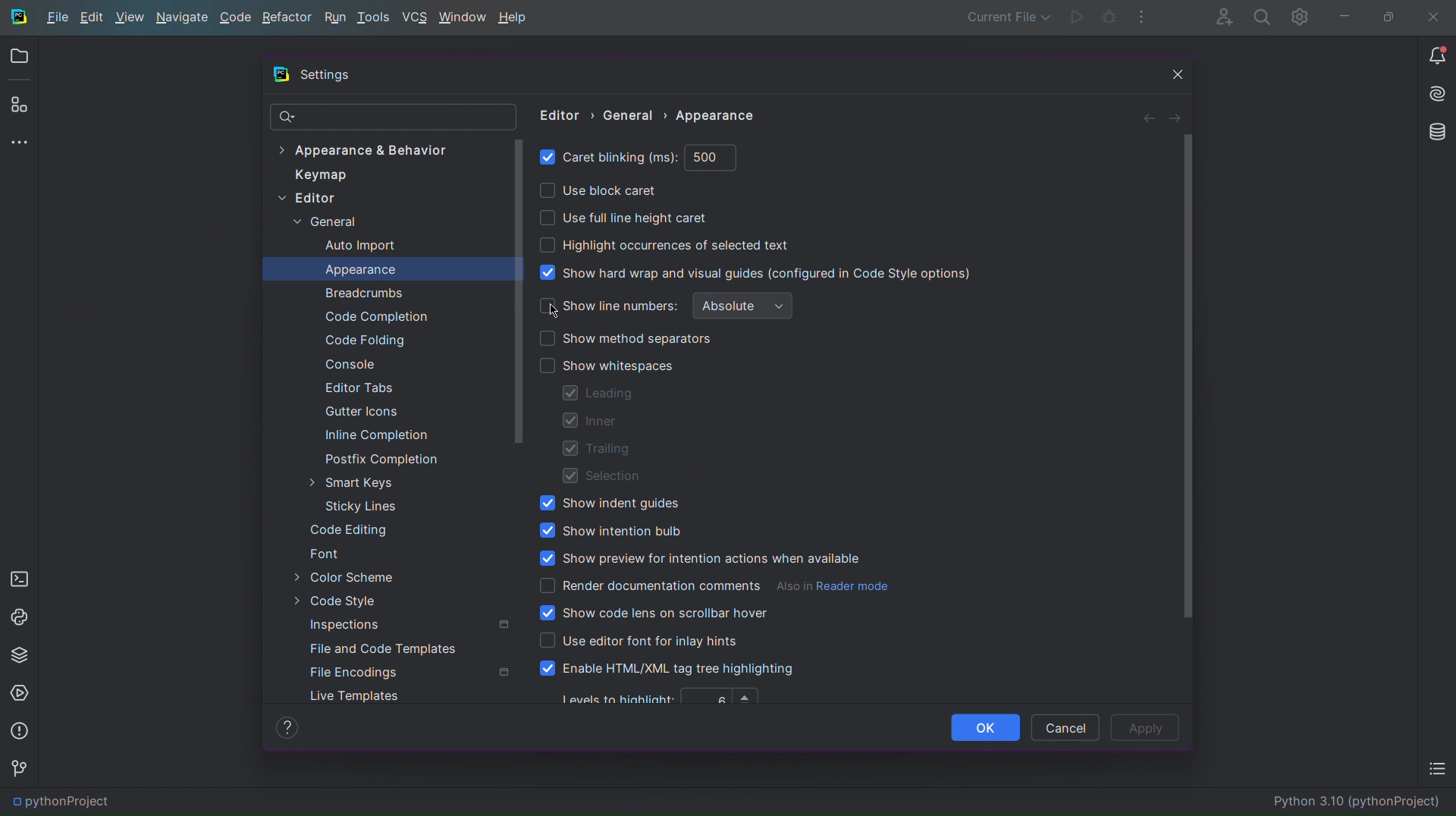 The width and height of the screenshot is (1456, 816). What do you see at coordinates (356, 507) in the screenshot?
I see `Sticky Lines` at bounding box center [356, 507].